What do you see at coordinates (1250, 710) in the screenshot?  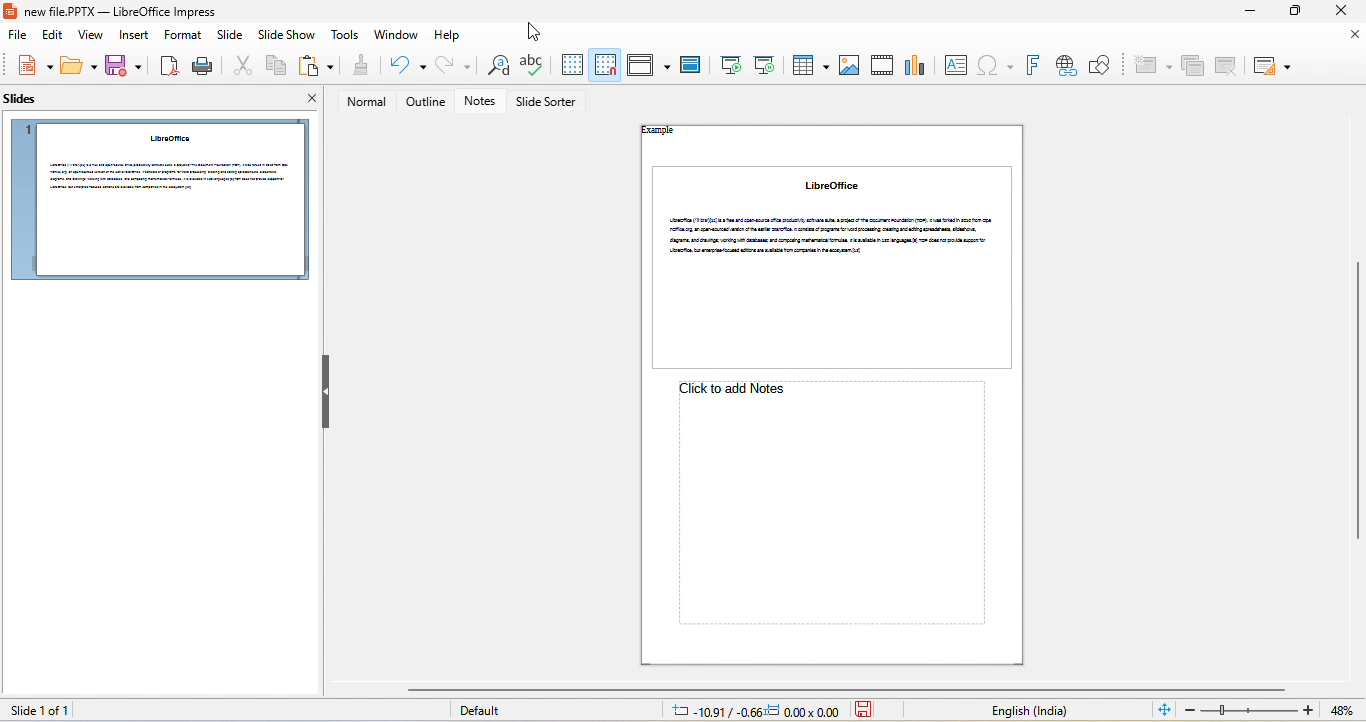 I see `zoom` at bounding box center [1250, 710].